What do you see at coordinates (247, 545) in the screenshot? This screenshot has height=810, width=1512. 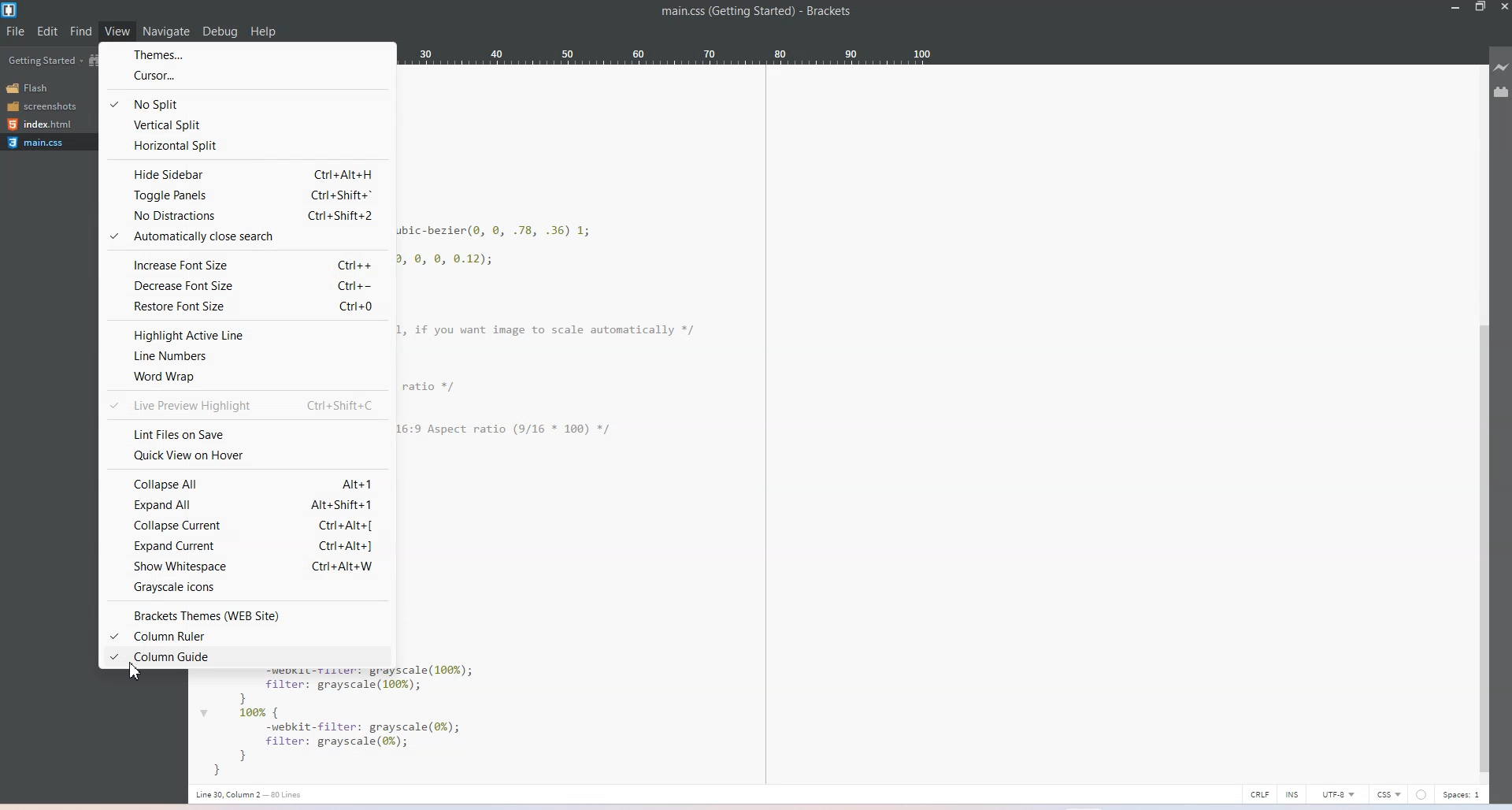 I see `Expand current` at bounding box center [247, 545].